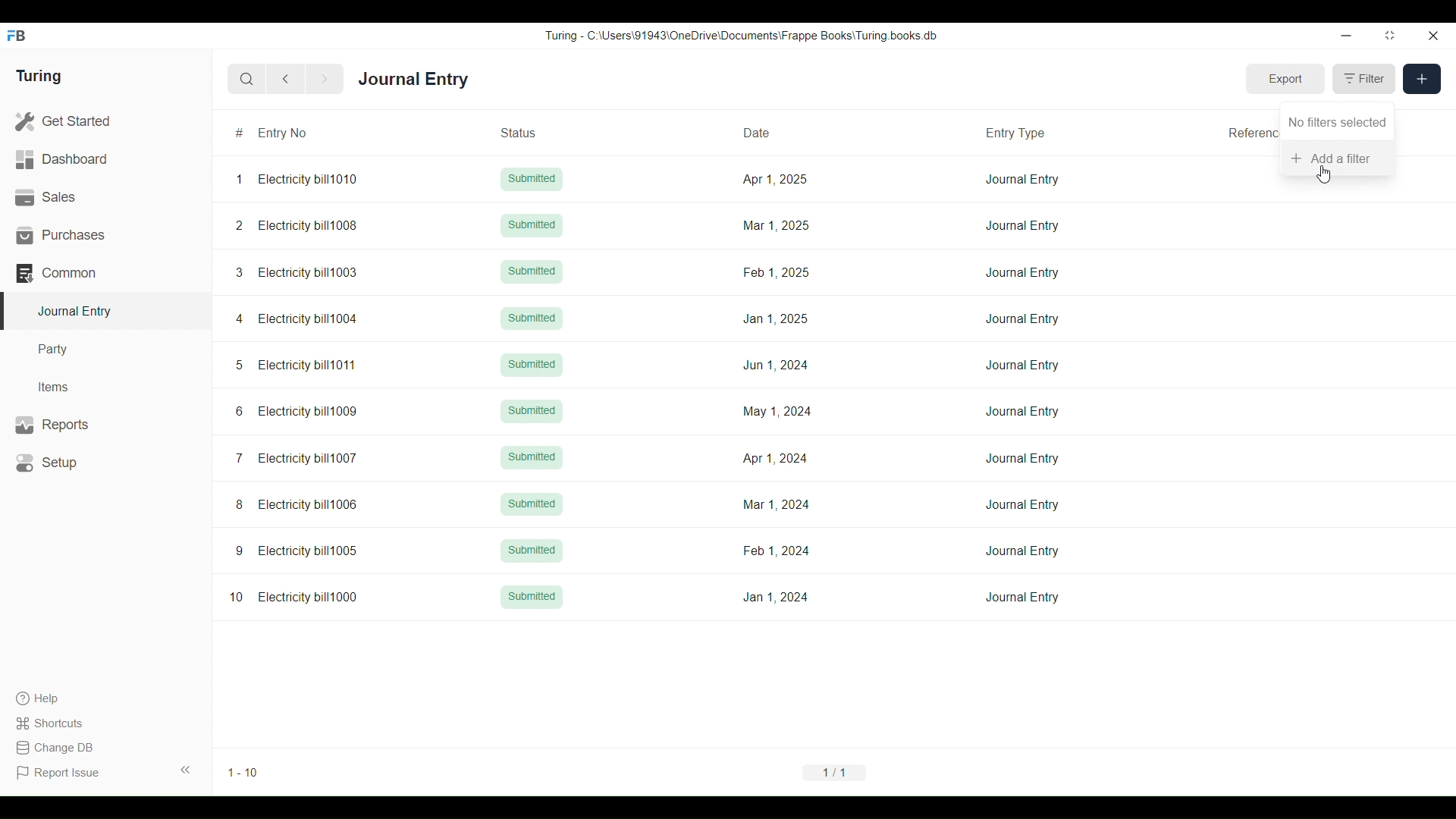  Describe the element at coordinates (297, 179) in the screenshot. I see `1 Electricity bill1010` at that location.